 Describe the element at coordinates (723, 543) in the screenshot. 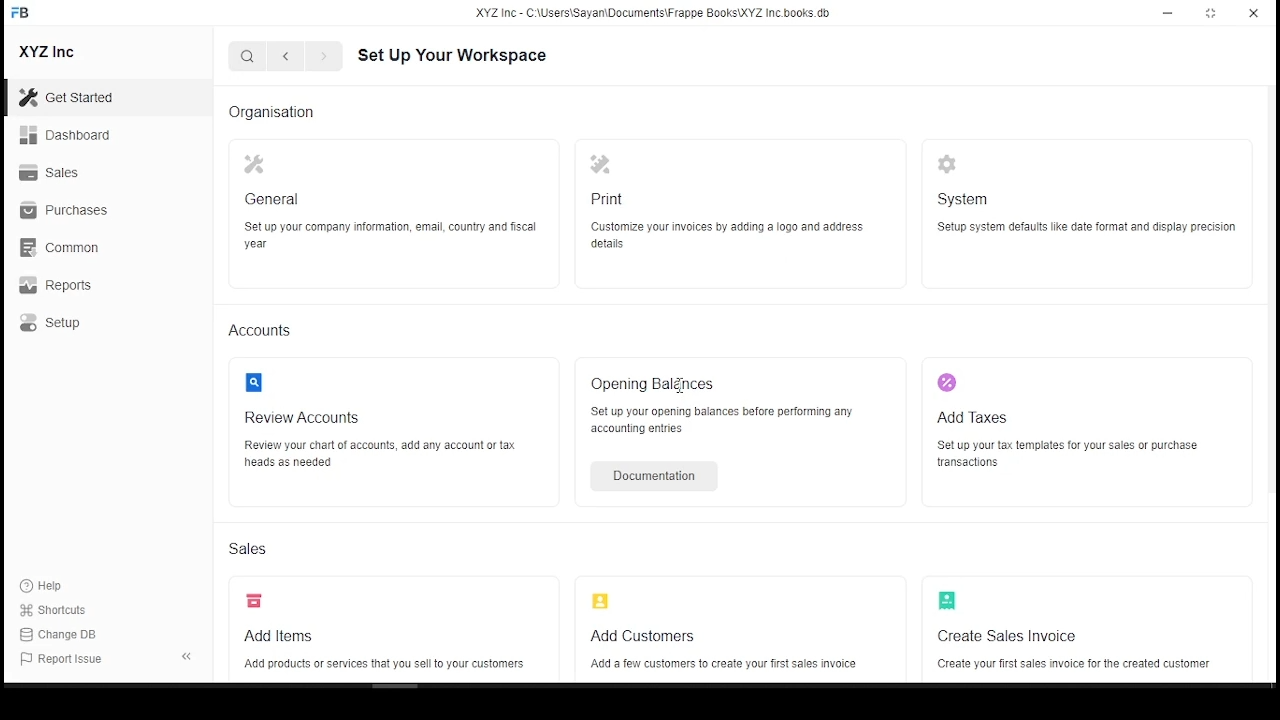

I see `add a few customers to create your first sales invoice` at that location.